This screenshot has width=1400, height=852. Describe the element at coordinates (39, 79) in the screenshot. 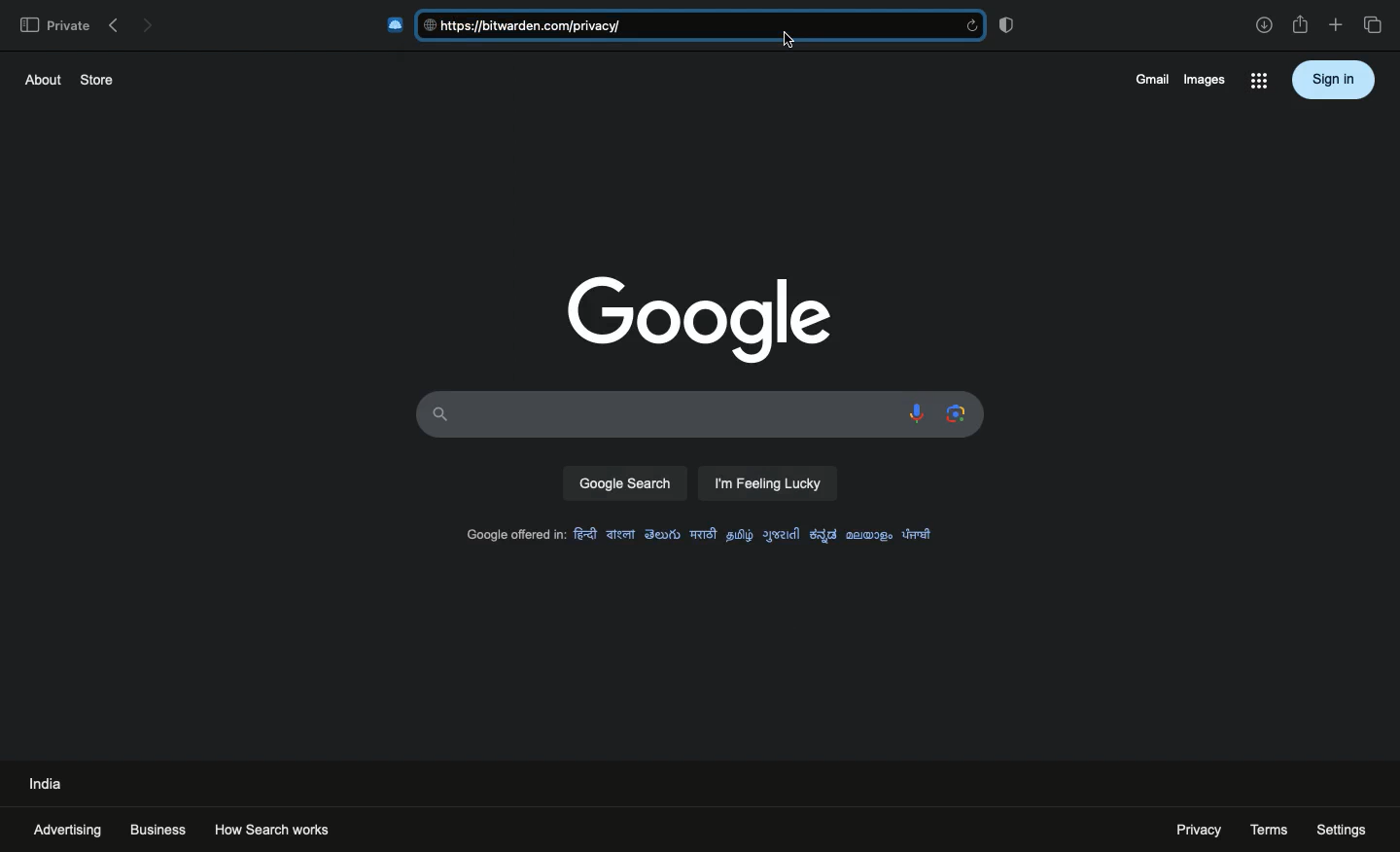

I see `about` at that location.